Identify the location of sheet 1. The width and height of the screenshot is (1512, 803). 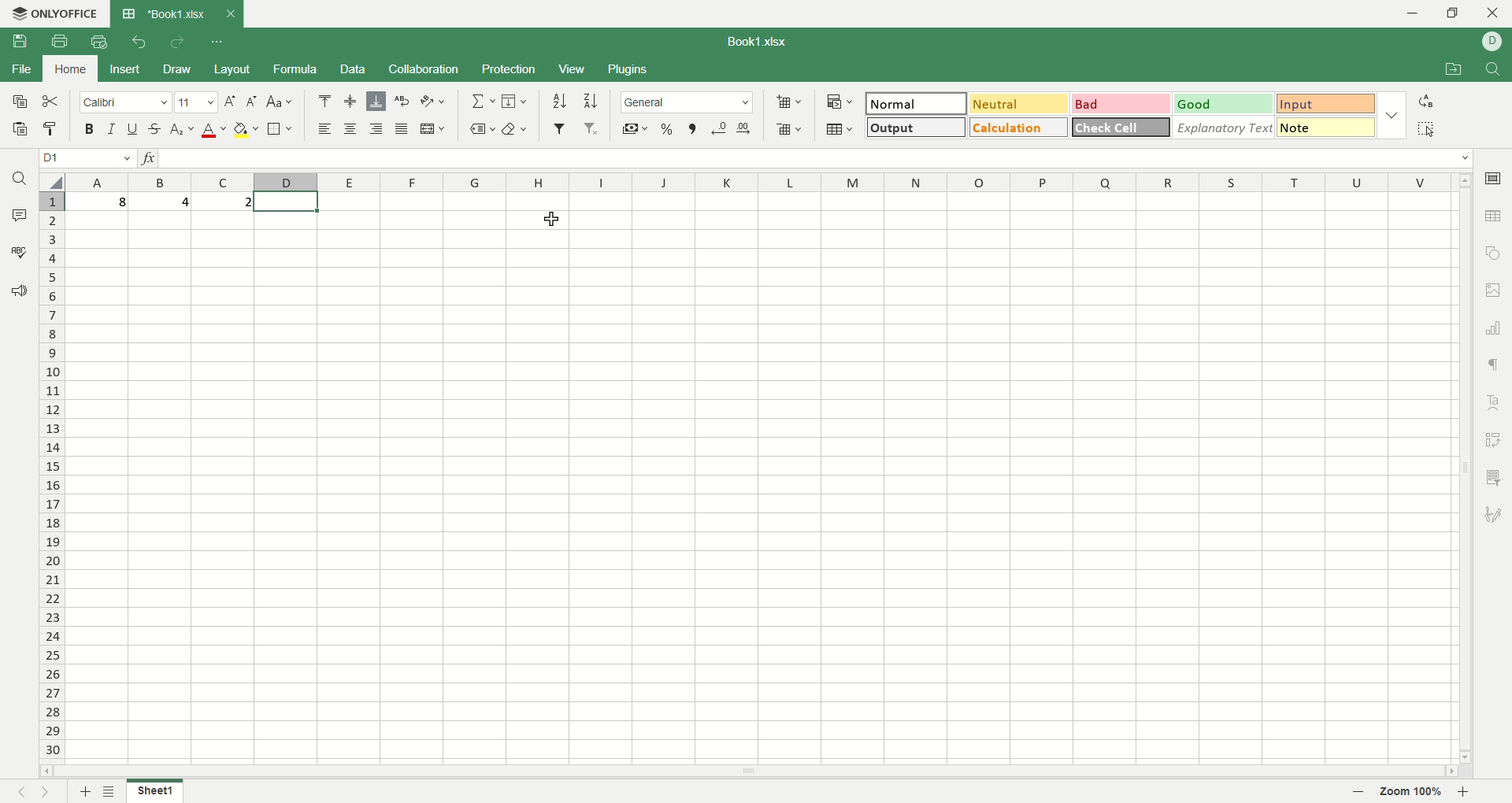
(155, 790).